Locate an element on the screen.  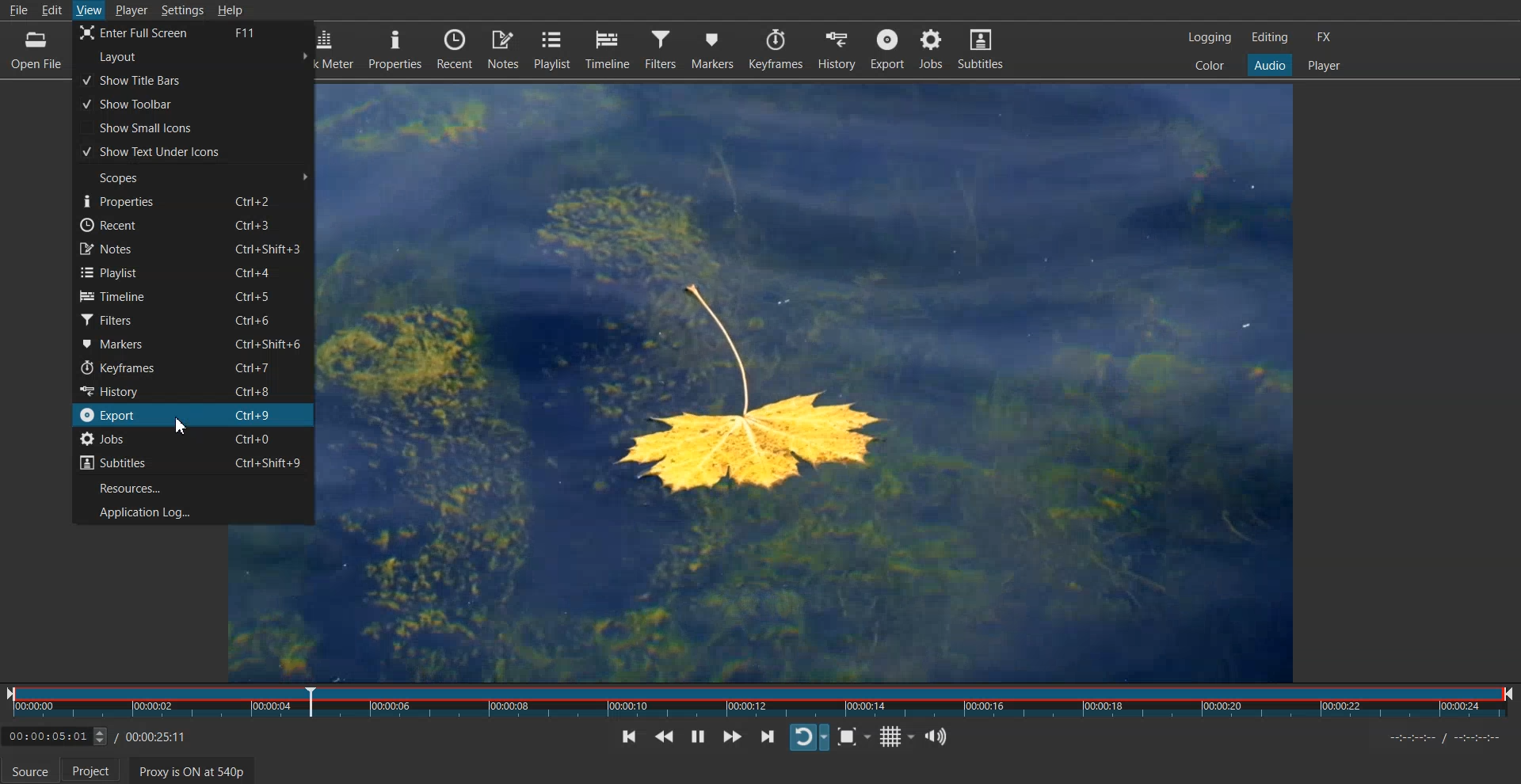
Recent is located at coordinates (456, 49).